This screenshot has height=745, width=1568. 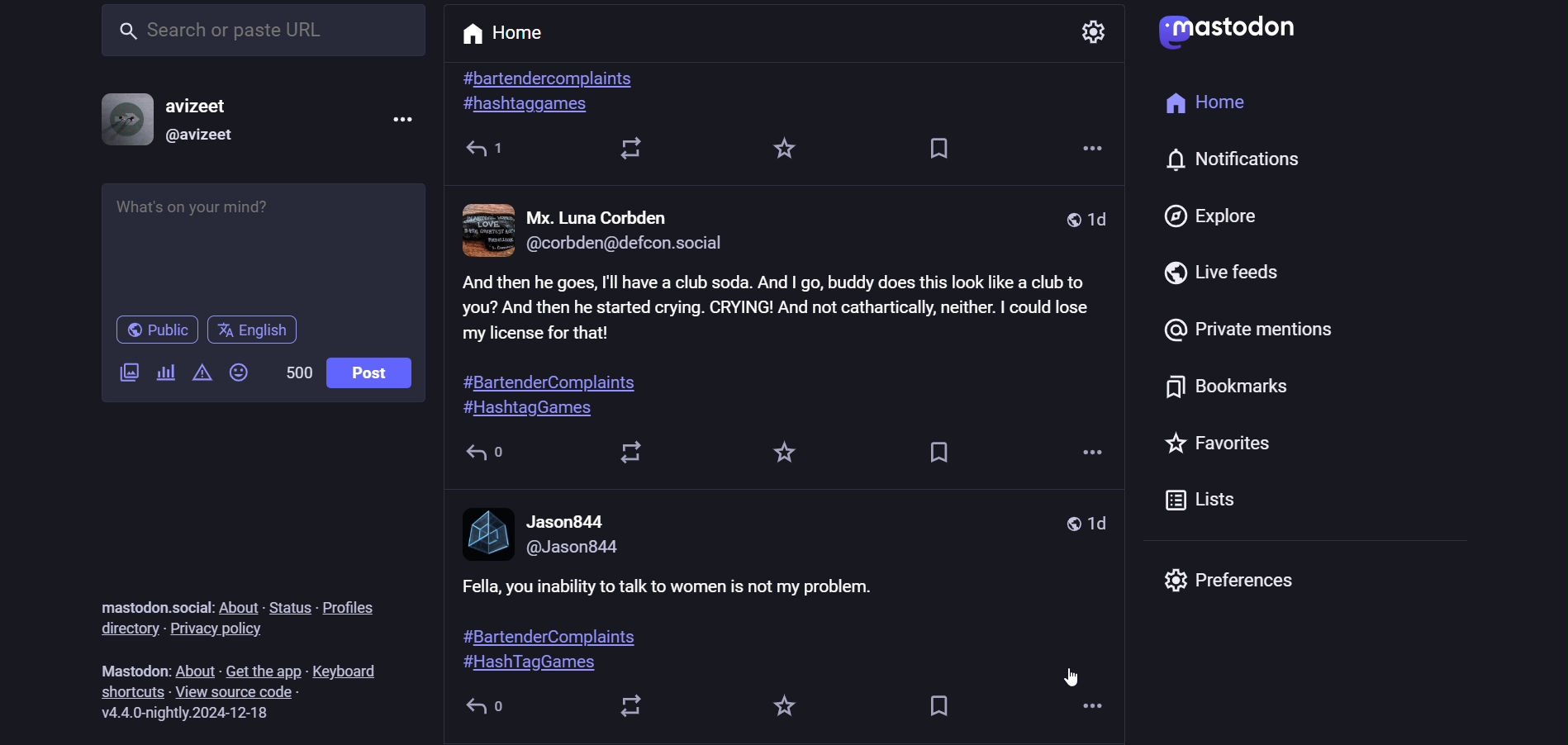 What do you see at coordinates (744, 629) in the screenshot?
I see `new post` at bounding box center [744, 629].